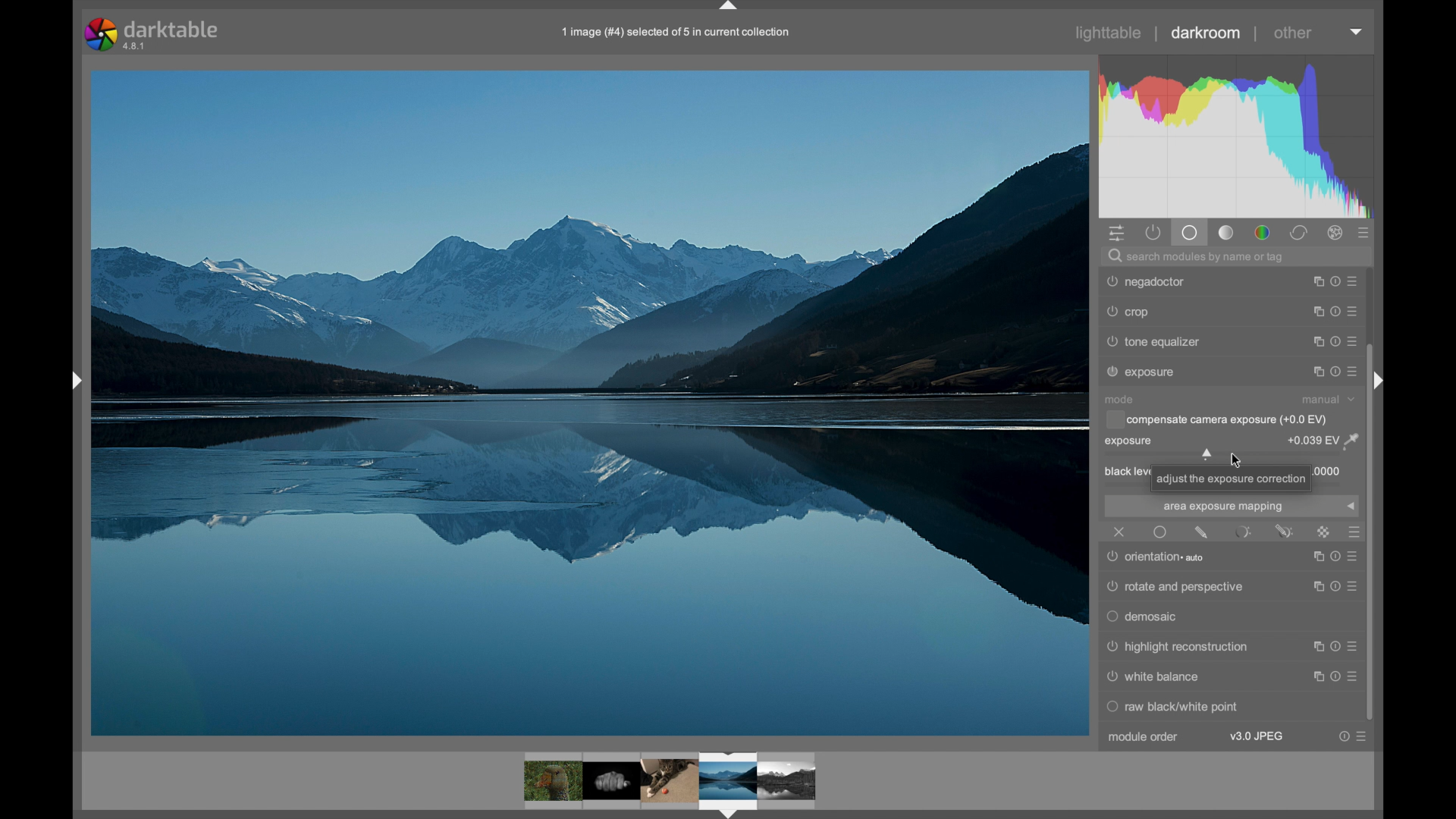  Describe the element at coordinates (1336, 233) in the screenshot. I see `effect` at that location.